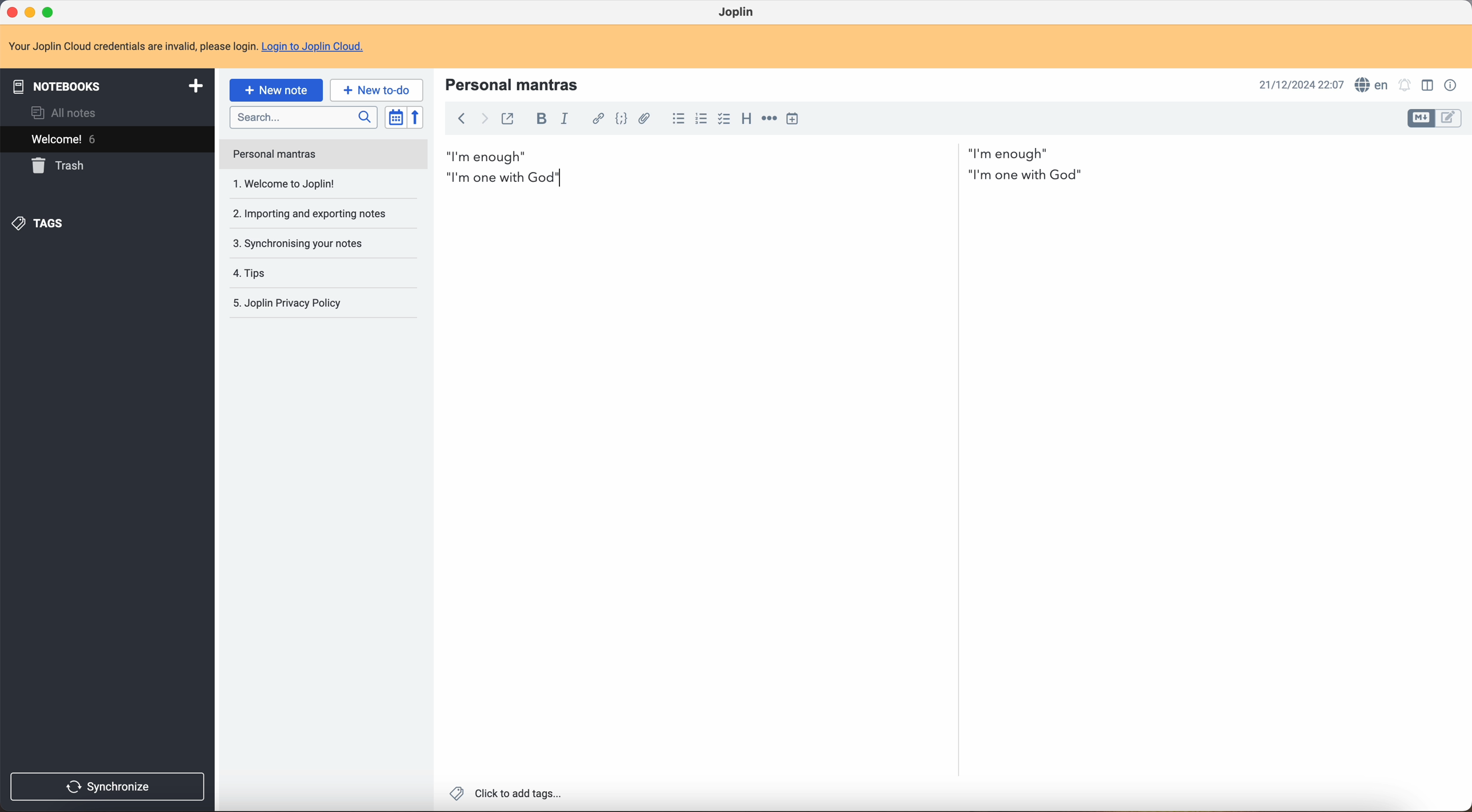 The image size is (1472, 812). What do you see at coordinates (724, 119) in the screenshot?
I see `checkbox` at bounding box center [724, 119].